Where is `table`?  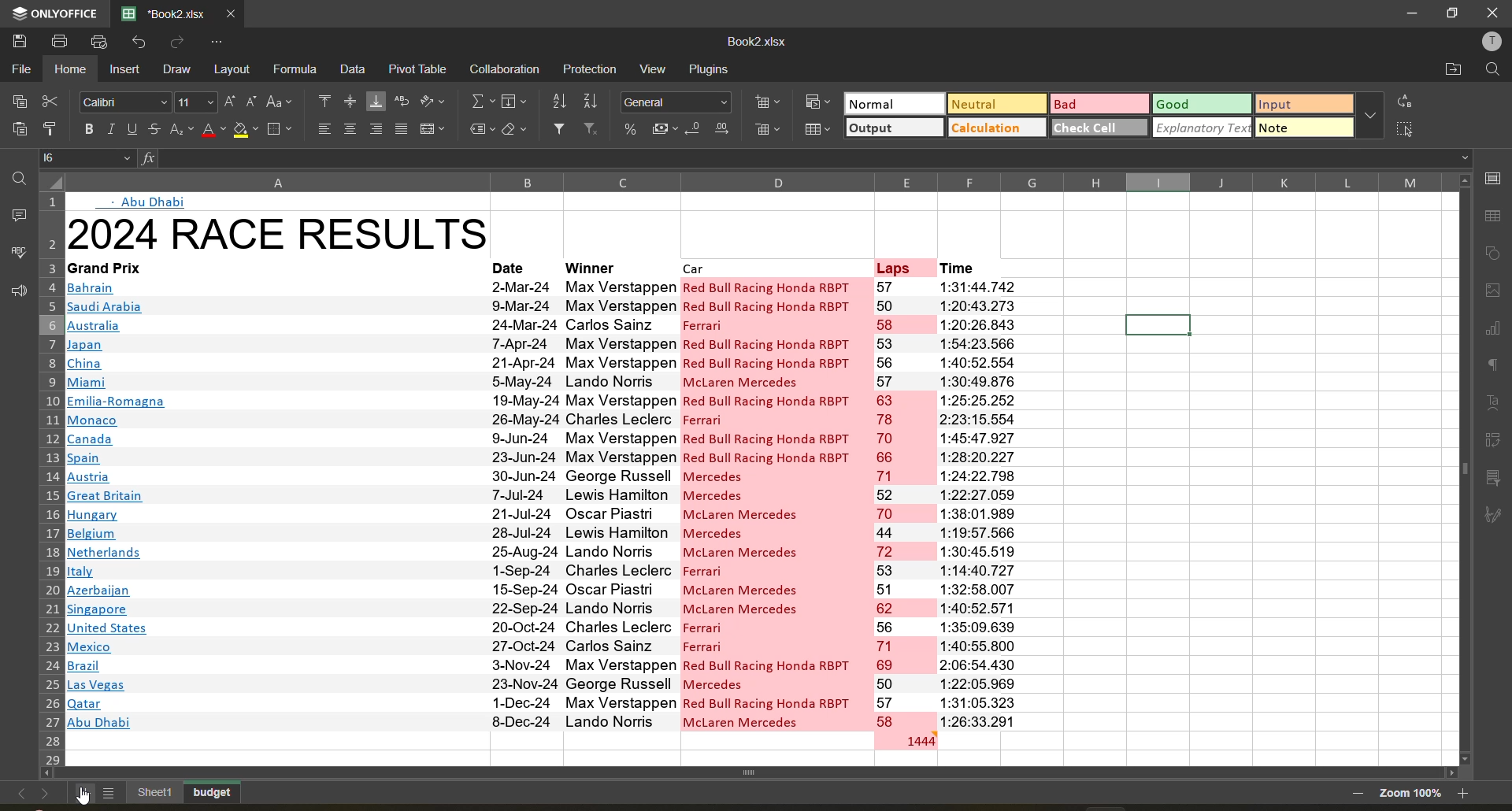
table is located at coordinates (1493, 218).